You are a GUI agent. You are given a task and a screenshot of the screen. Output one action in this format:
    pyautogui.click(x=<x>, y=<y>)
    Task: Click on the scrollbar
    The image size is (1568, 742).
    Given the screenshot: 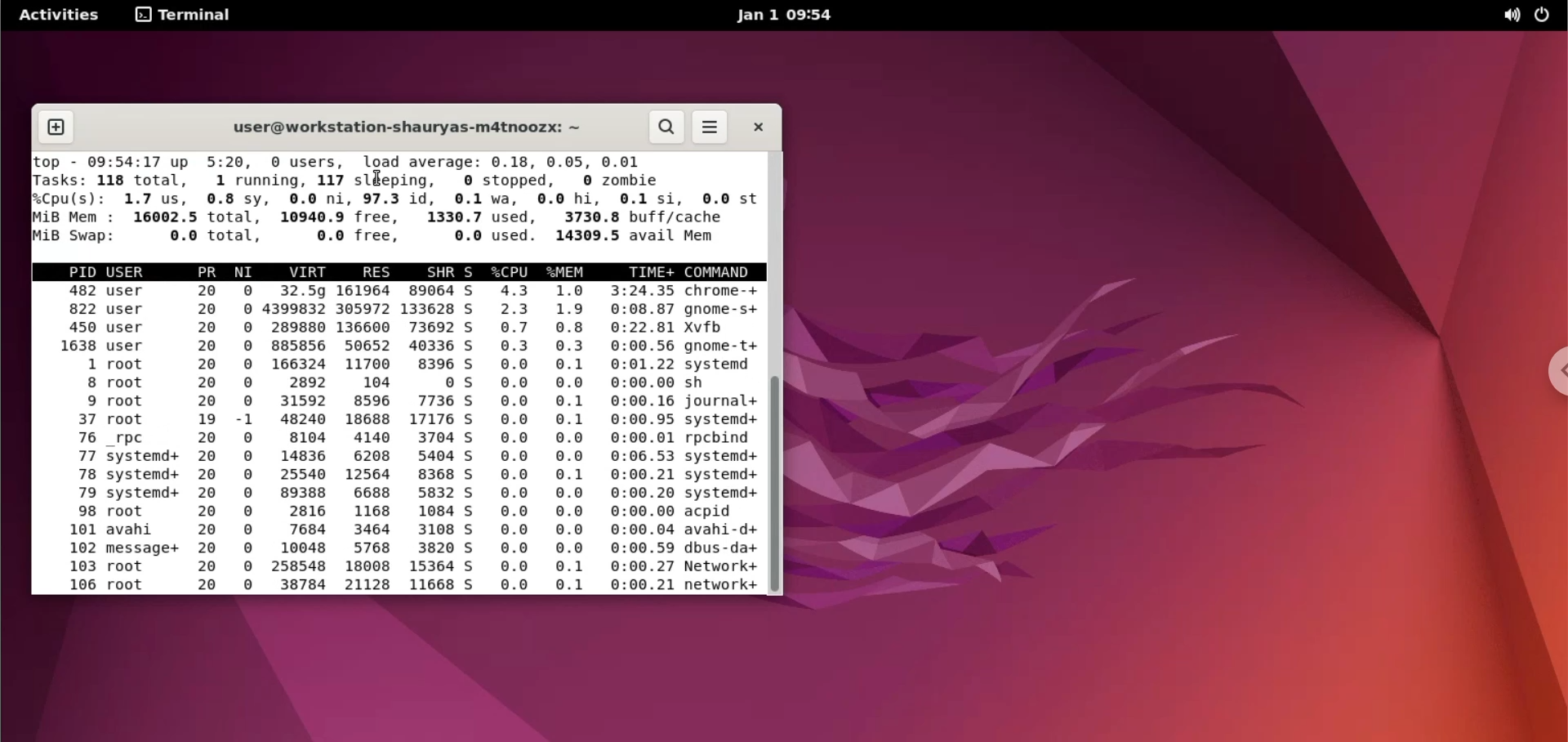 What is the action you would take?
    pyautogui.click(x=777, y=484)
    